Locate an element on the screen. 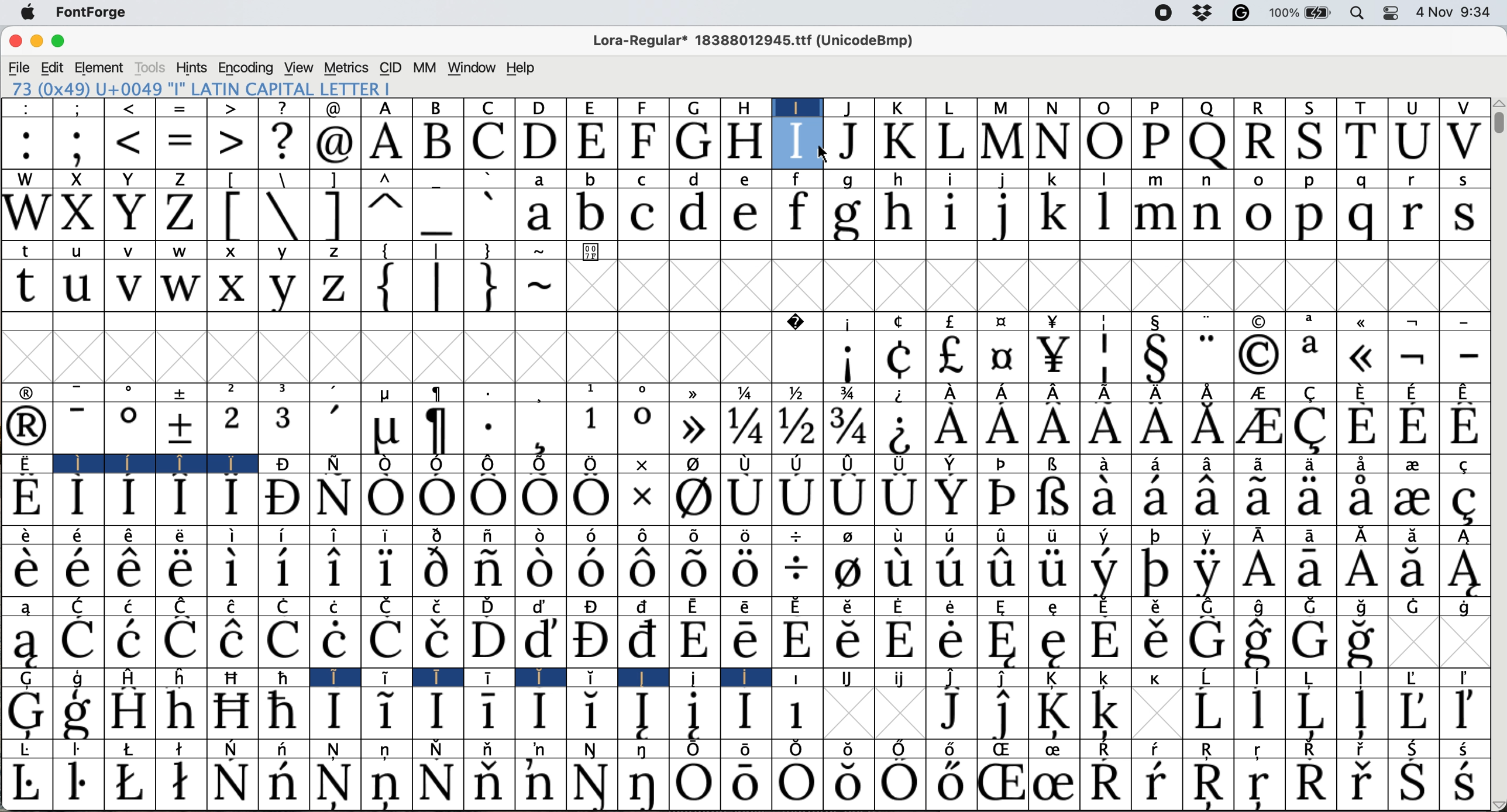 The image size is (1507, 812). Symbol is located at coordinates (438, 711).